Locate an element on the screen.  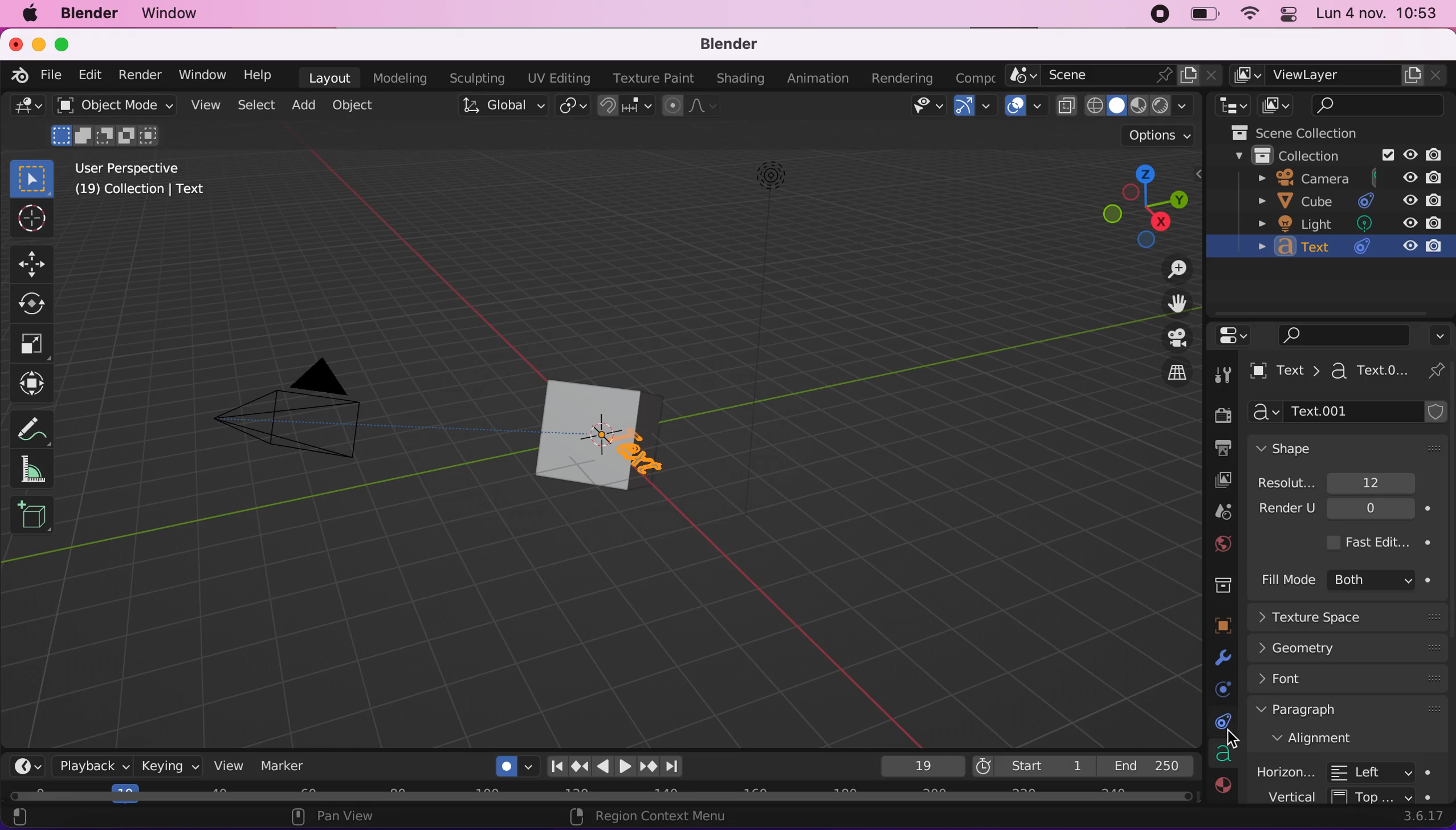
region context menu is located at coordinates (655, 817).